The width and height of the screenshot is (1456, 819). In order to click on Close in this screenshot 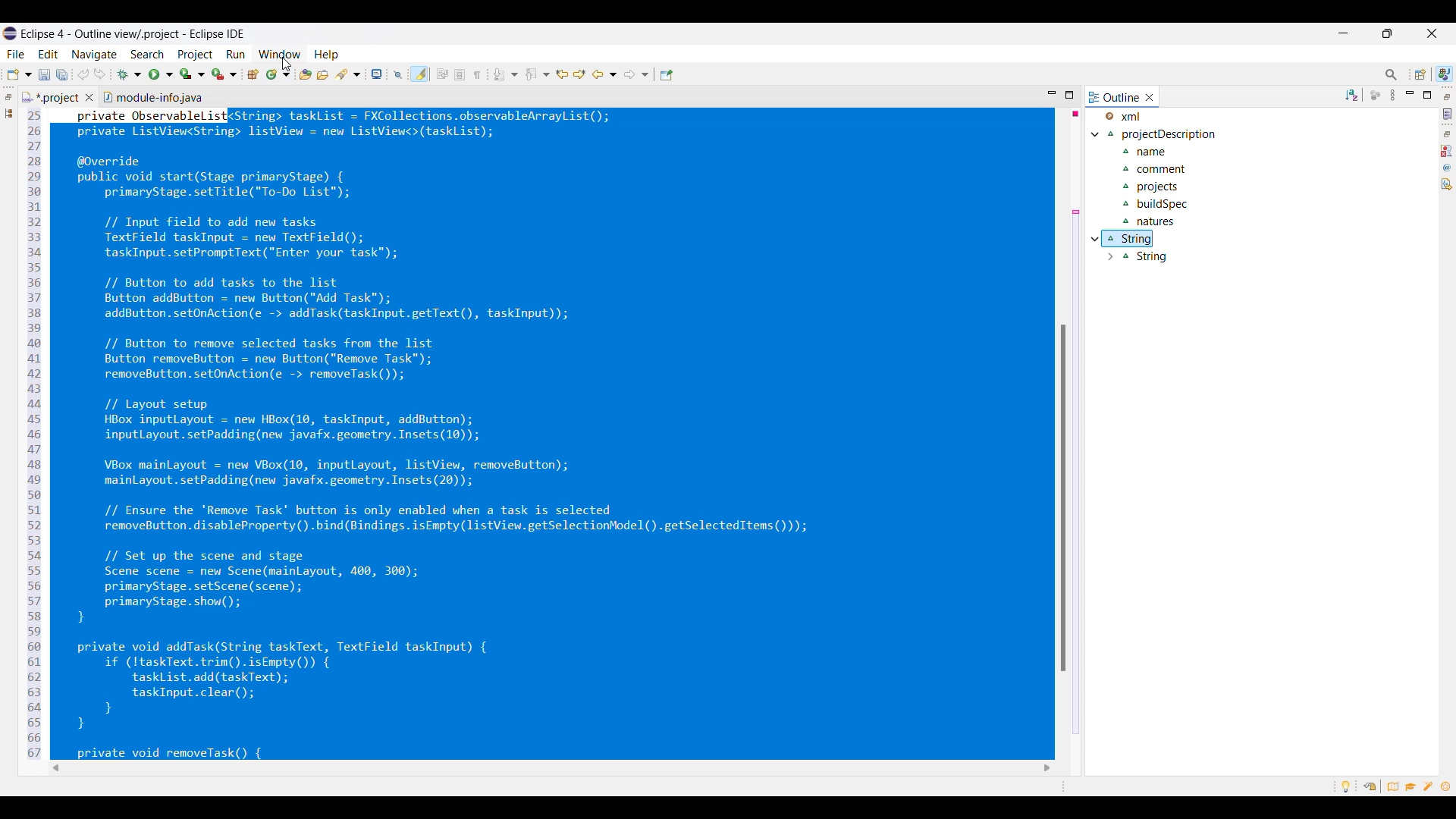, I will do `click(1150, 98)`.